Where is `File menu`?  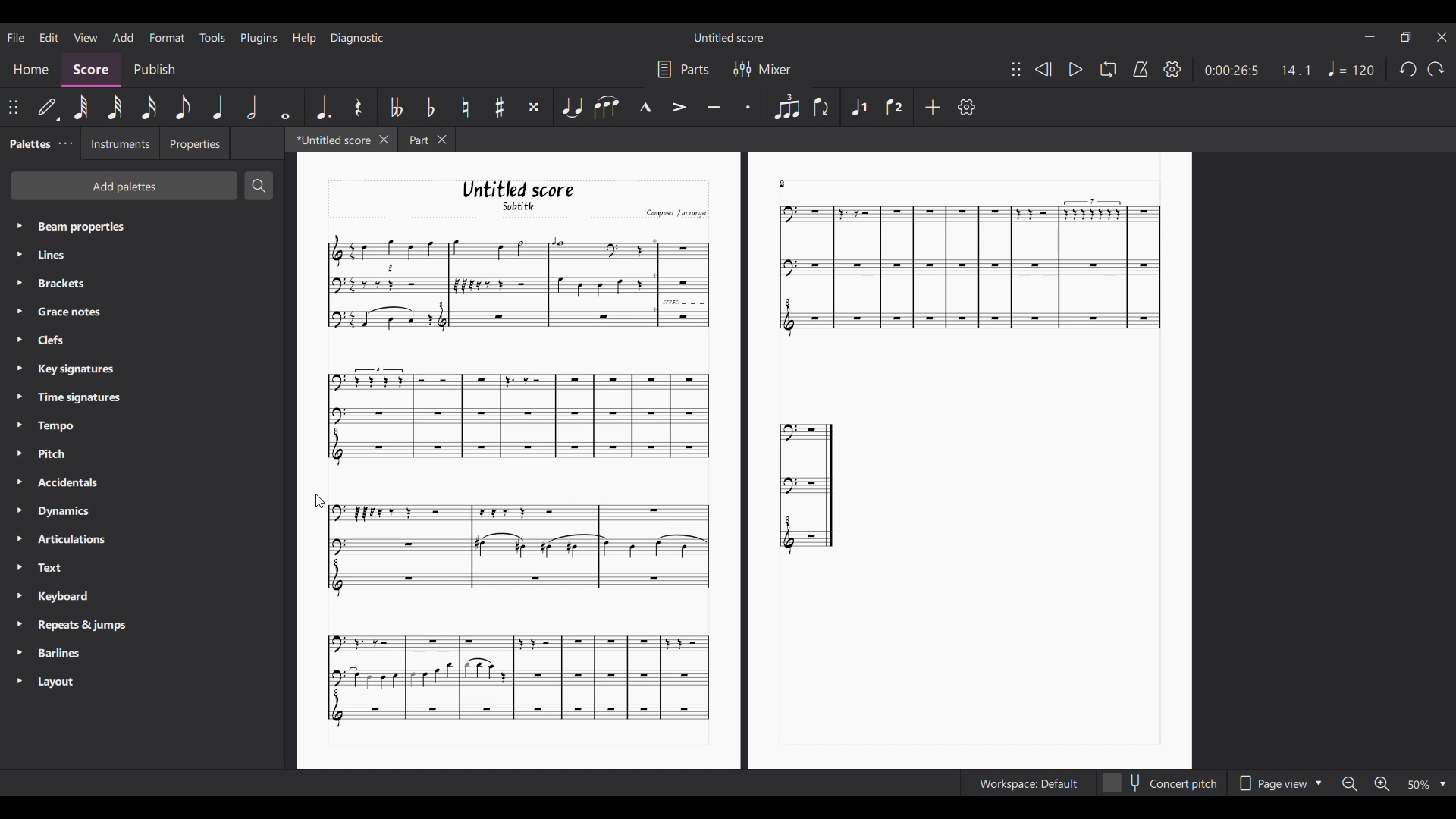 File menu is located at coordinates (17, 37).